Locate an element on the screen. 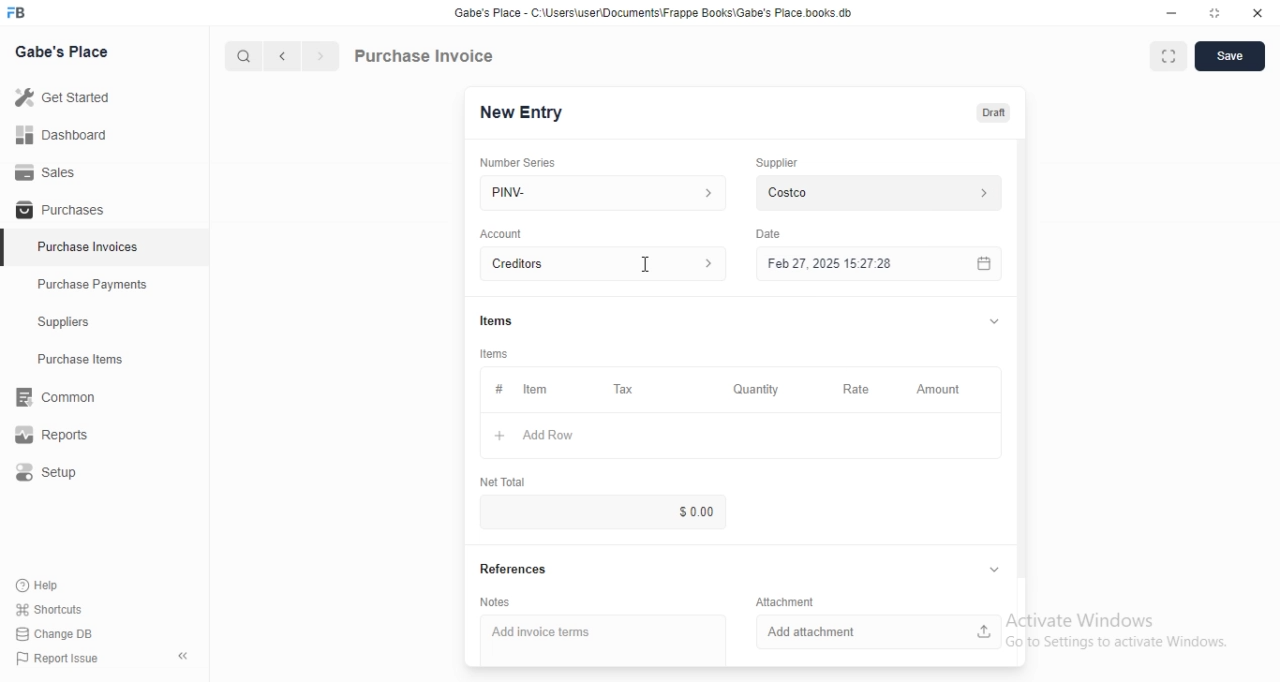 This screenshot has width=1280, height=682. Items is located at coordinates (496, 321).